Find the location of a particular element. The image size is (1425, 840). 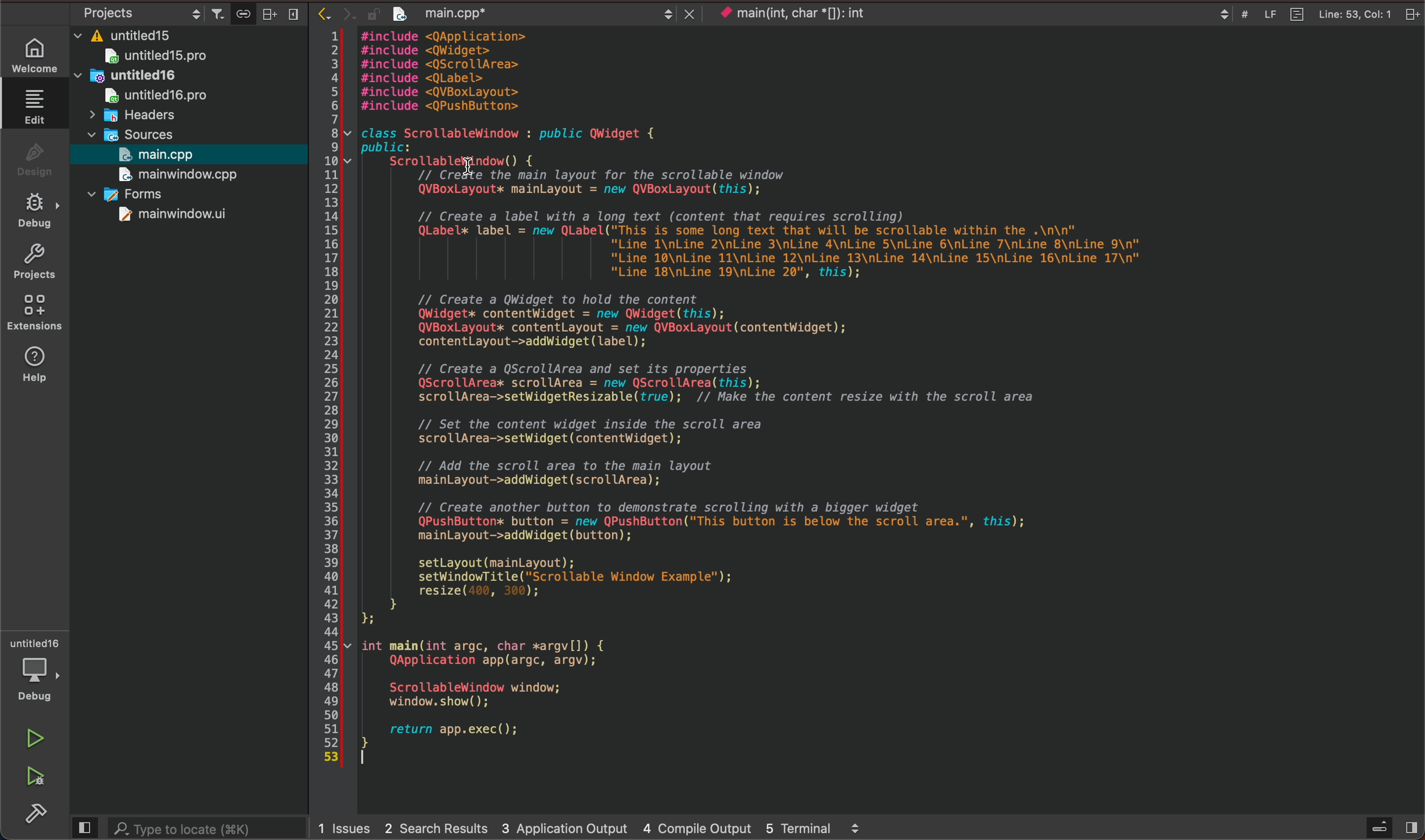

build is located at coordinates (29, 813).